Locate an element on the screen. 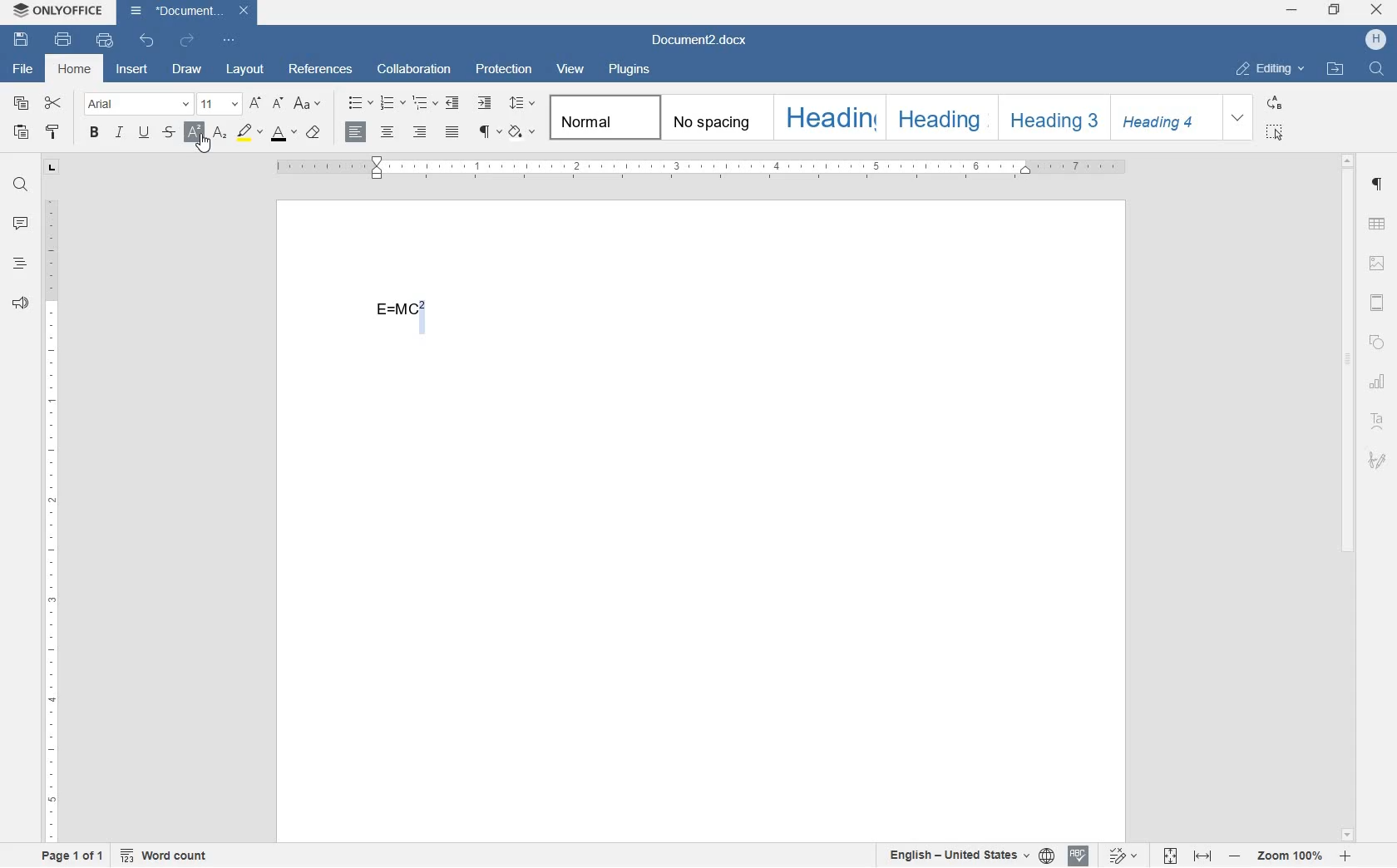  SUPERSCRIPT is located at coordinates (194, 132).